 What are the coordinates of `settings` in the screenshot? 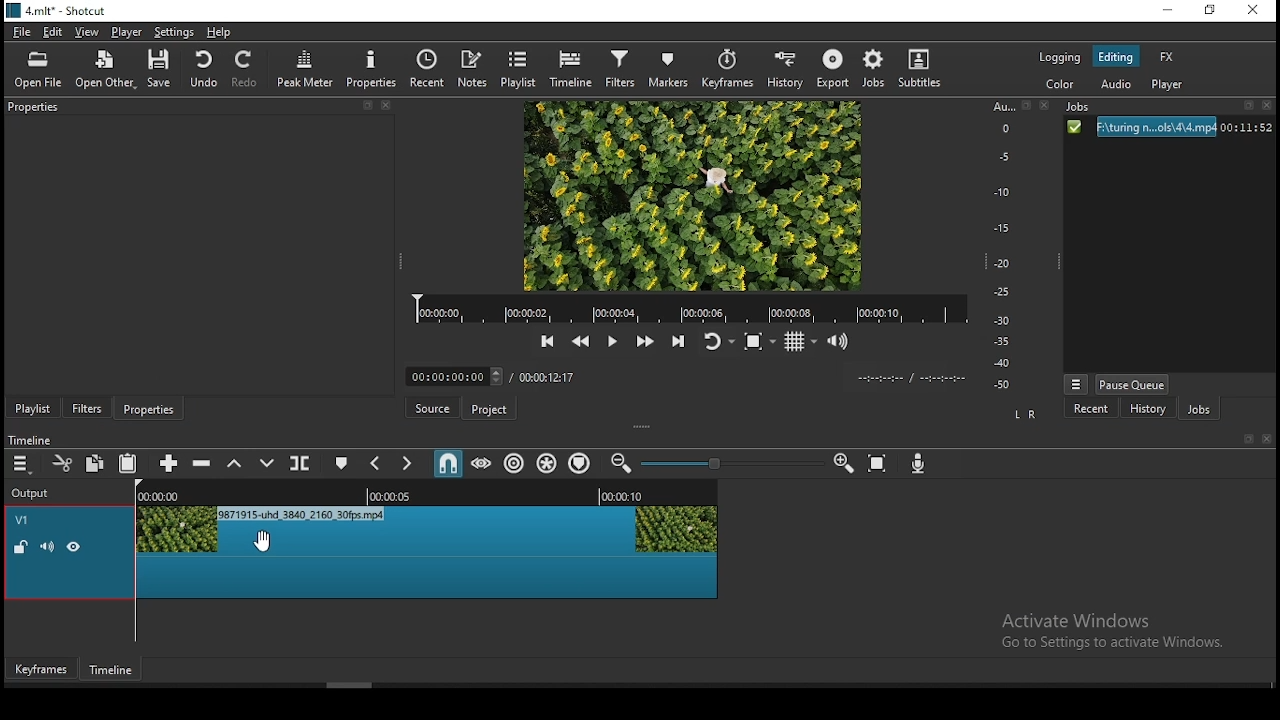 It's located at (175, 32).